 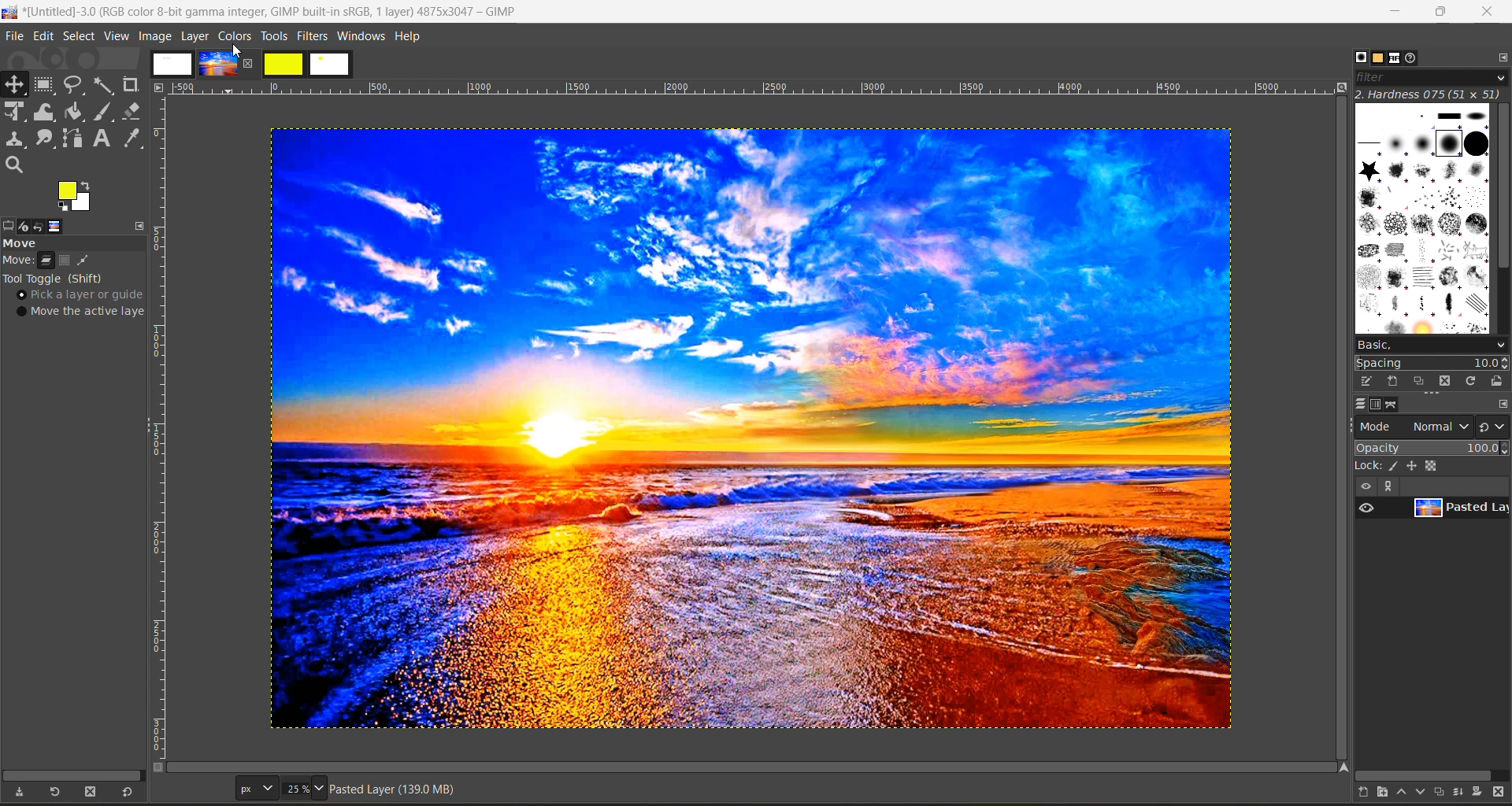 I want to click on document history, so click(x=1414, y=57).